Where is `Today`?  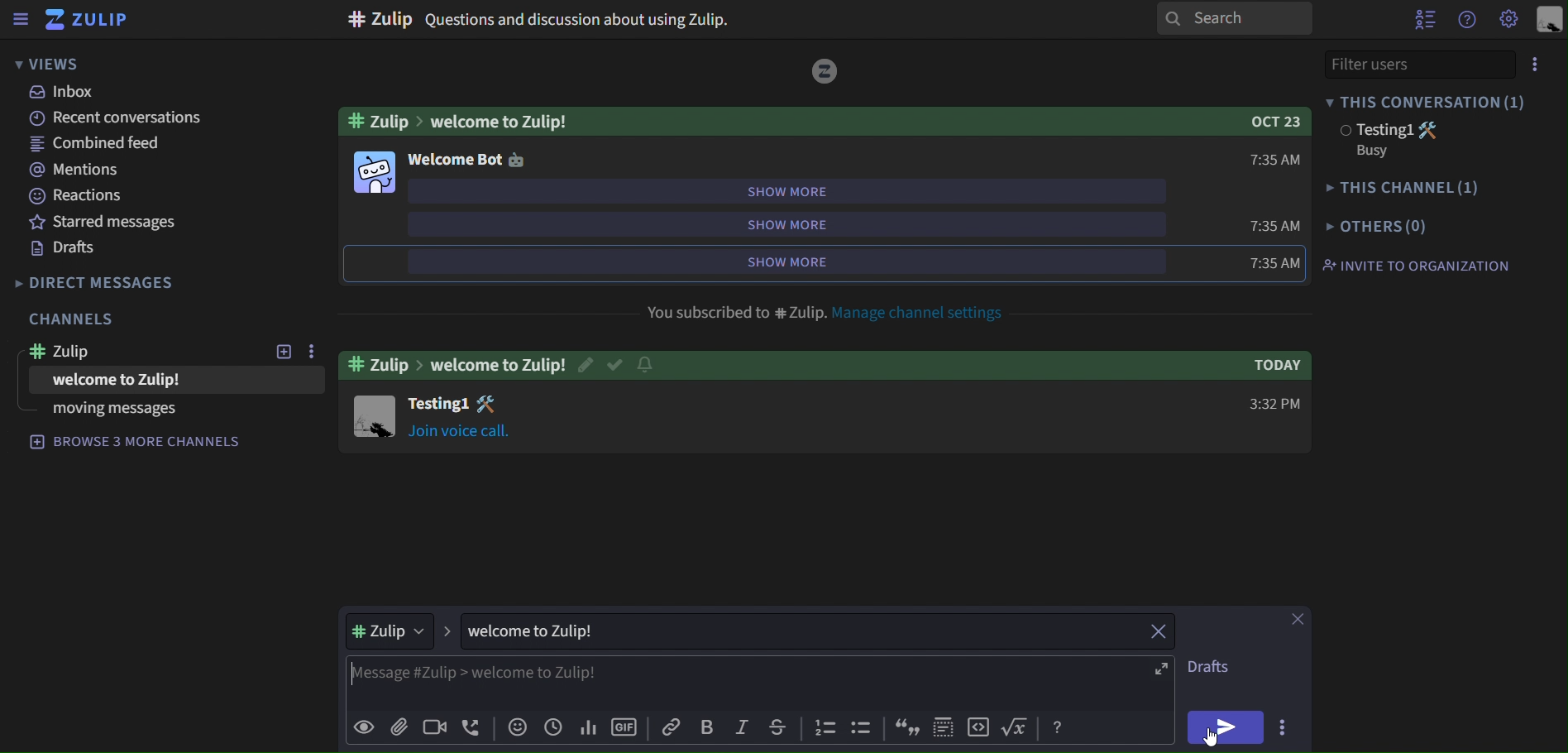
Today is located at coordinates (1275, 363).